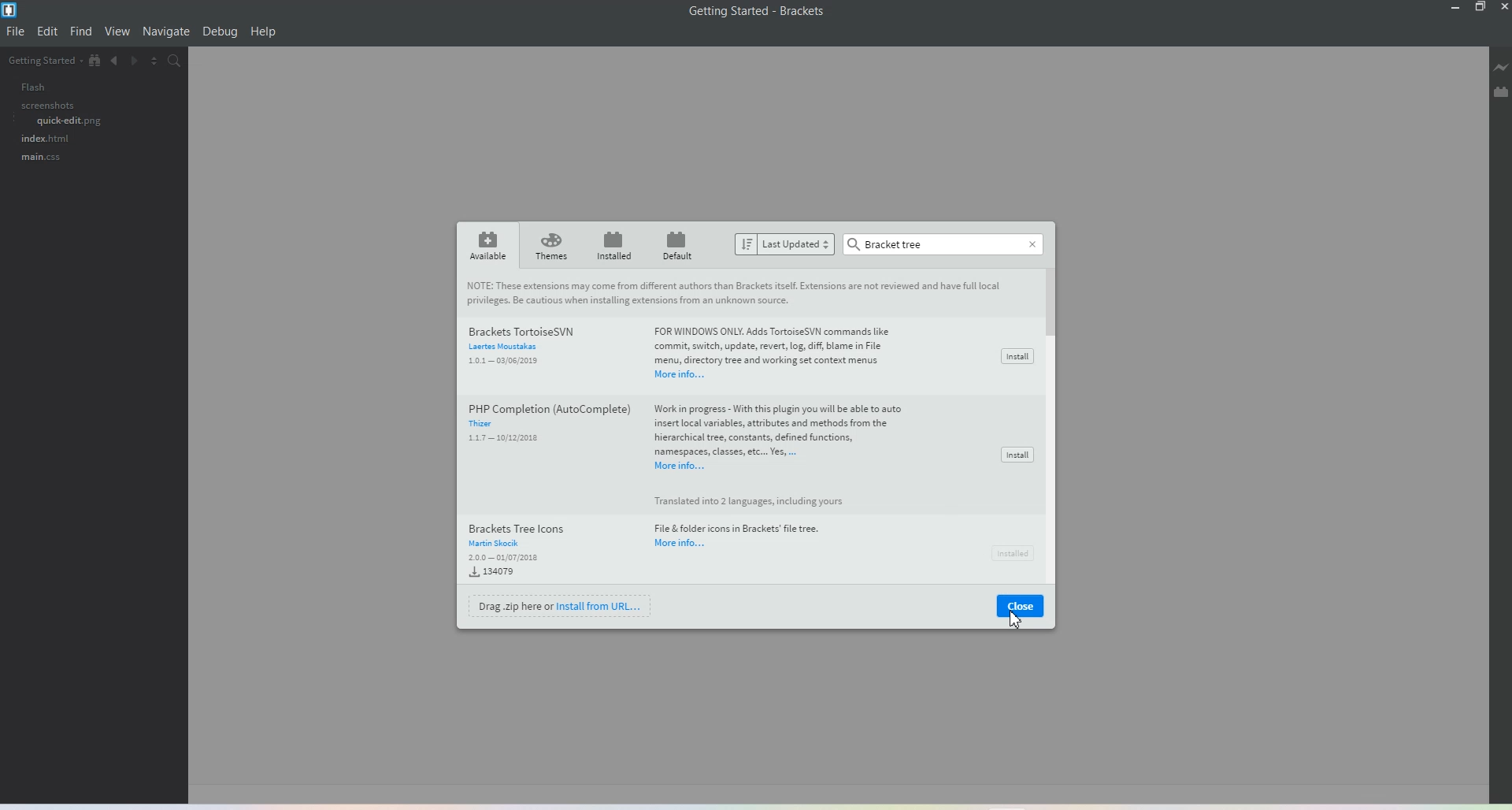 The height and width of the screenshot is (810, 1512). Describe the element at coordinates (888, 243) in the screenshot. I see `Text` at that location.